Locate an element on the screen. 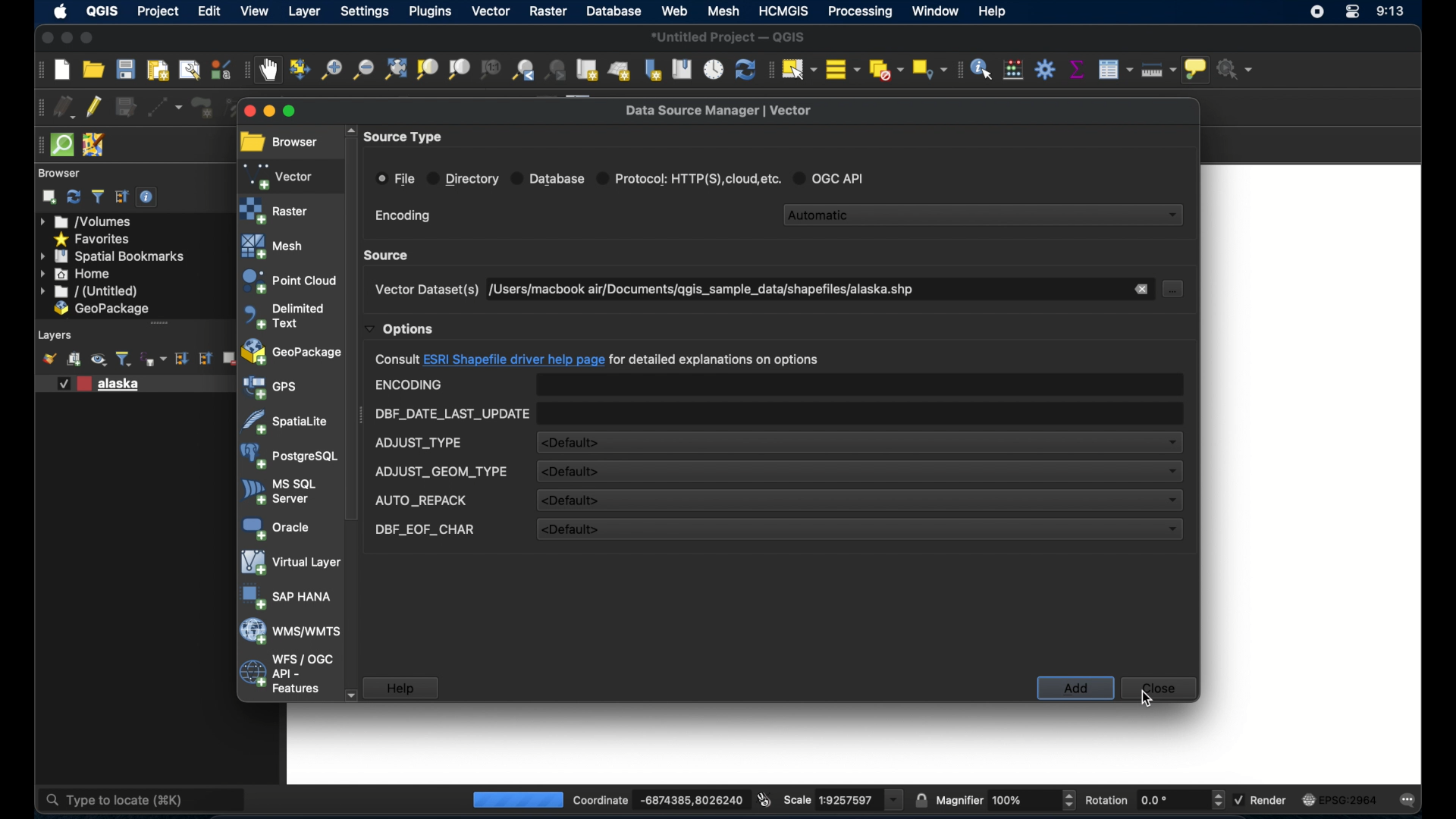 The width and height of the screenshot is (1456, 819). edit is located at coordinates (210, 11).